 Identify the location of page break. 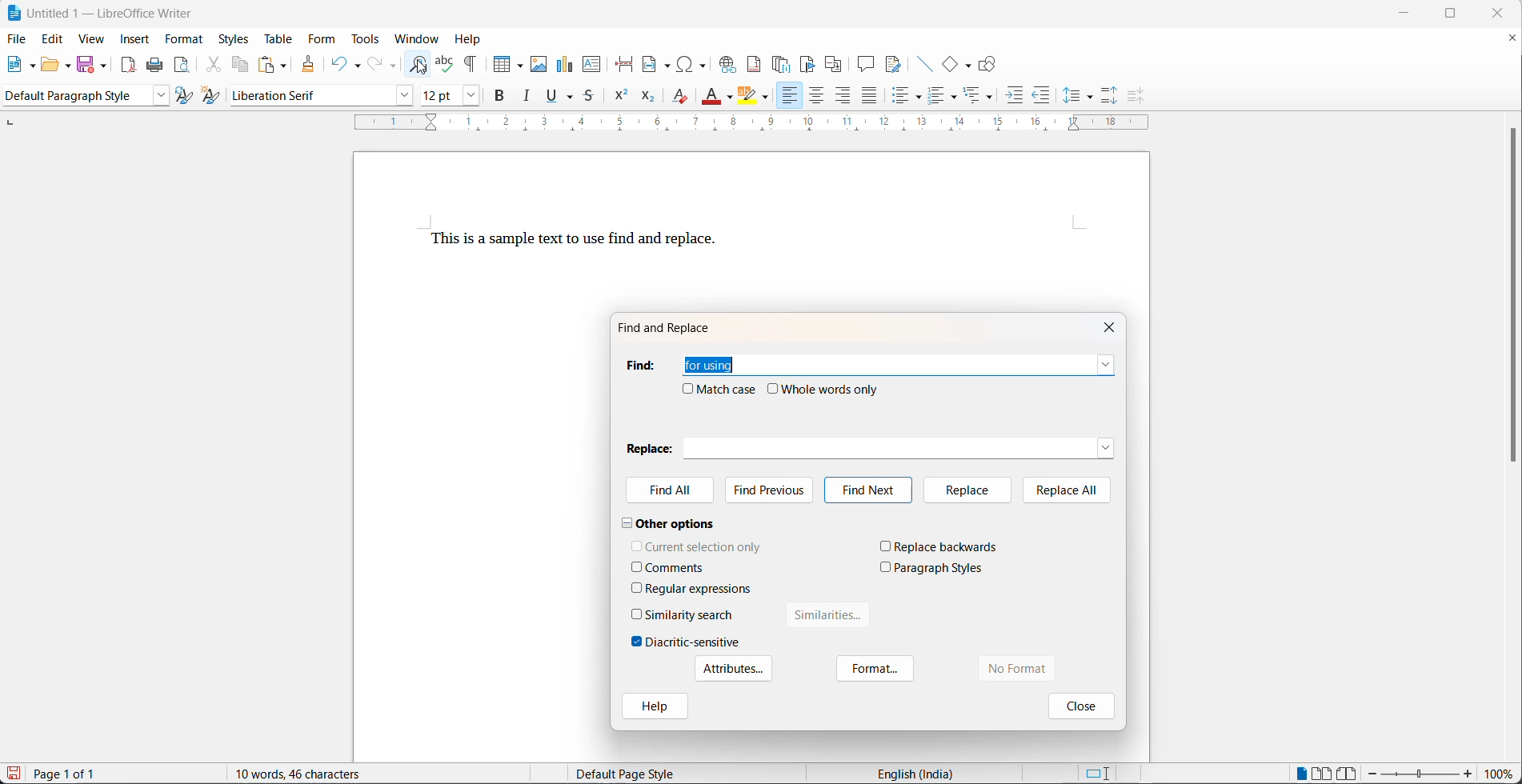
(626, 64).